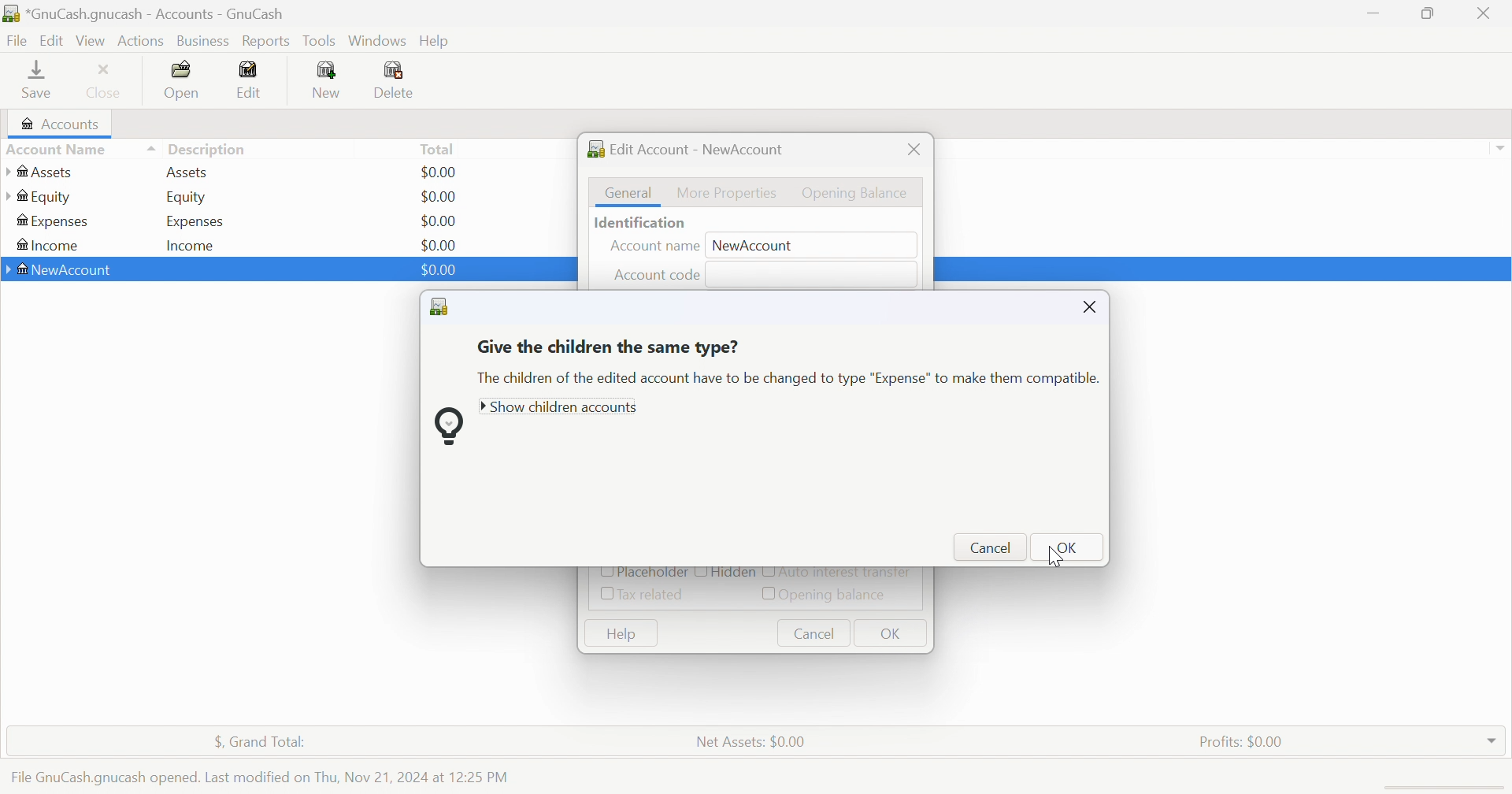 This screenshot has width=1512, height=794. What do you see at coordinates (187, 172) in the screenshot?
I see `Assets` at bounding box center [187, 172].